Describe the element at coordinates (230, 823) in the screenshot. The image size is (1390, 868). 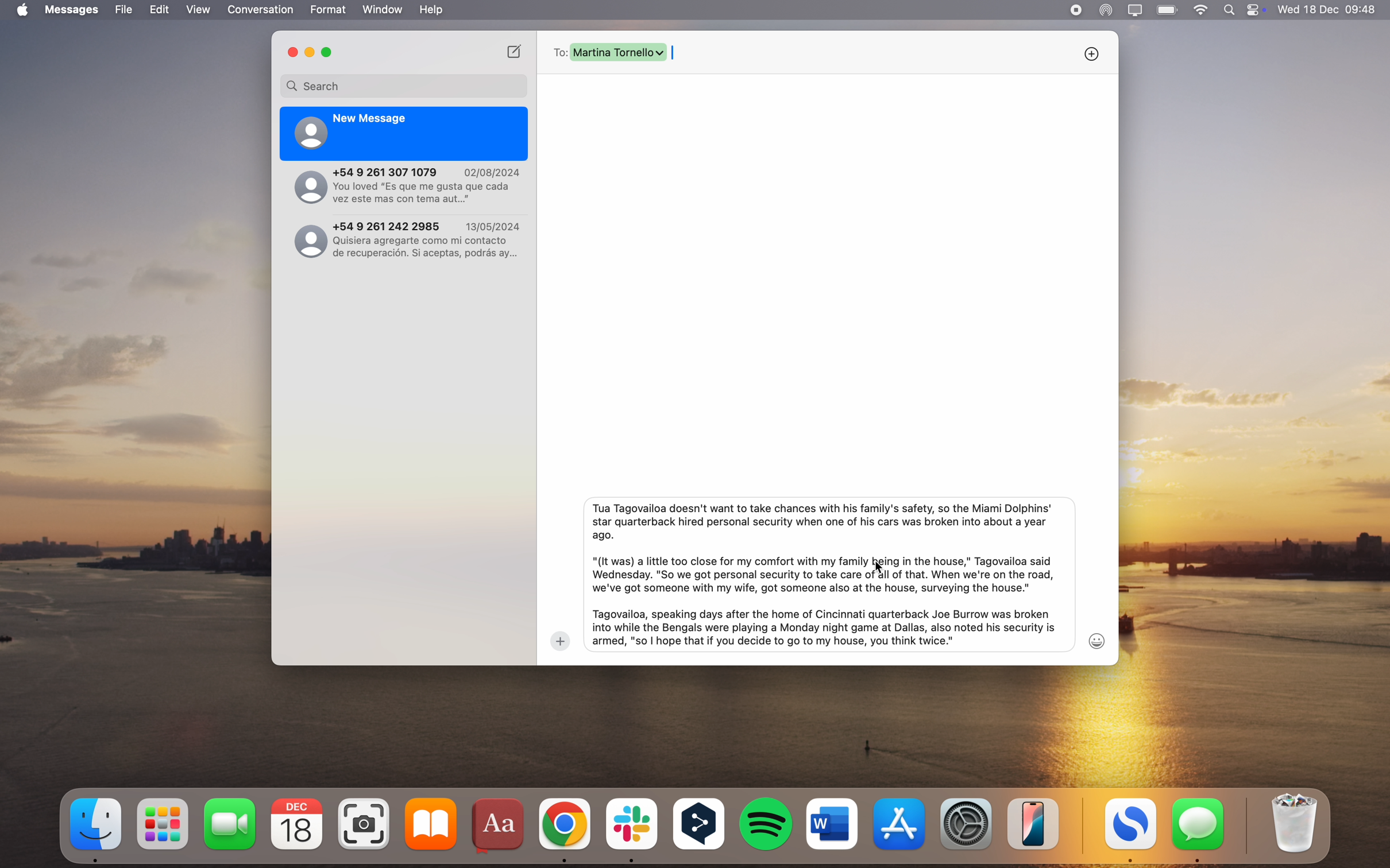
I see `facetime` at that location.